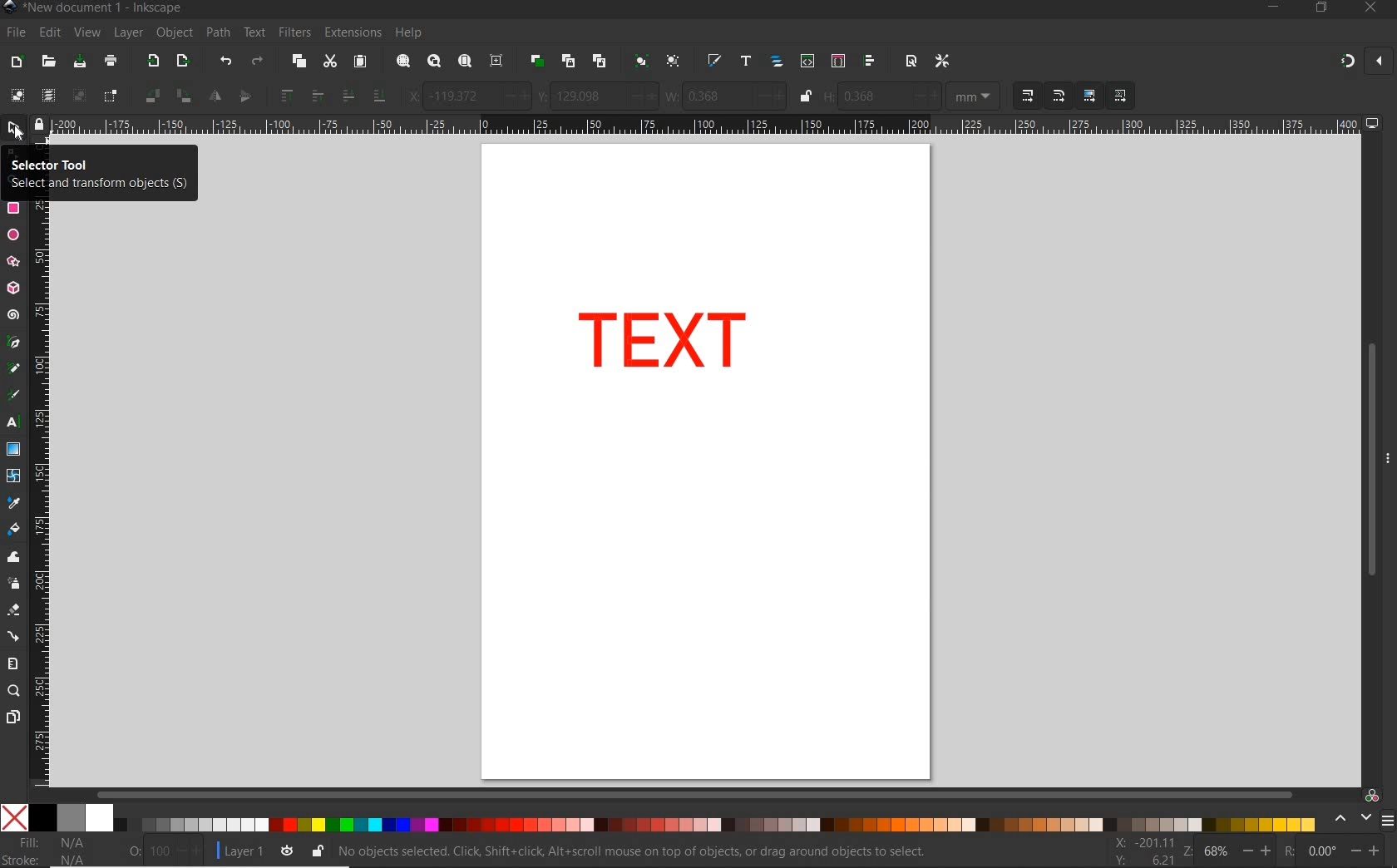 Image resolution: width=1397 pixels, height=868 pixels. I want to click on CONNECTOR TOOL, so click(14, 637).